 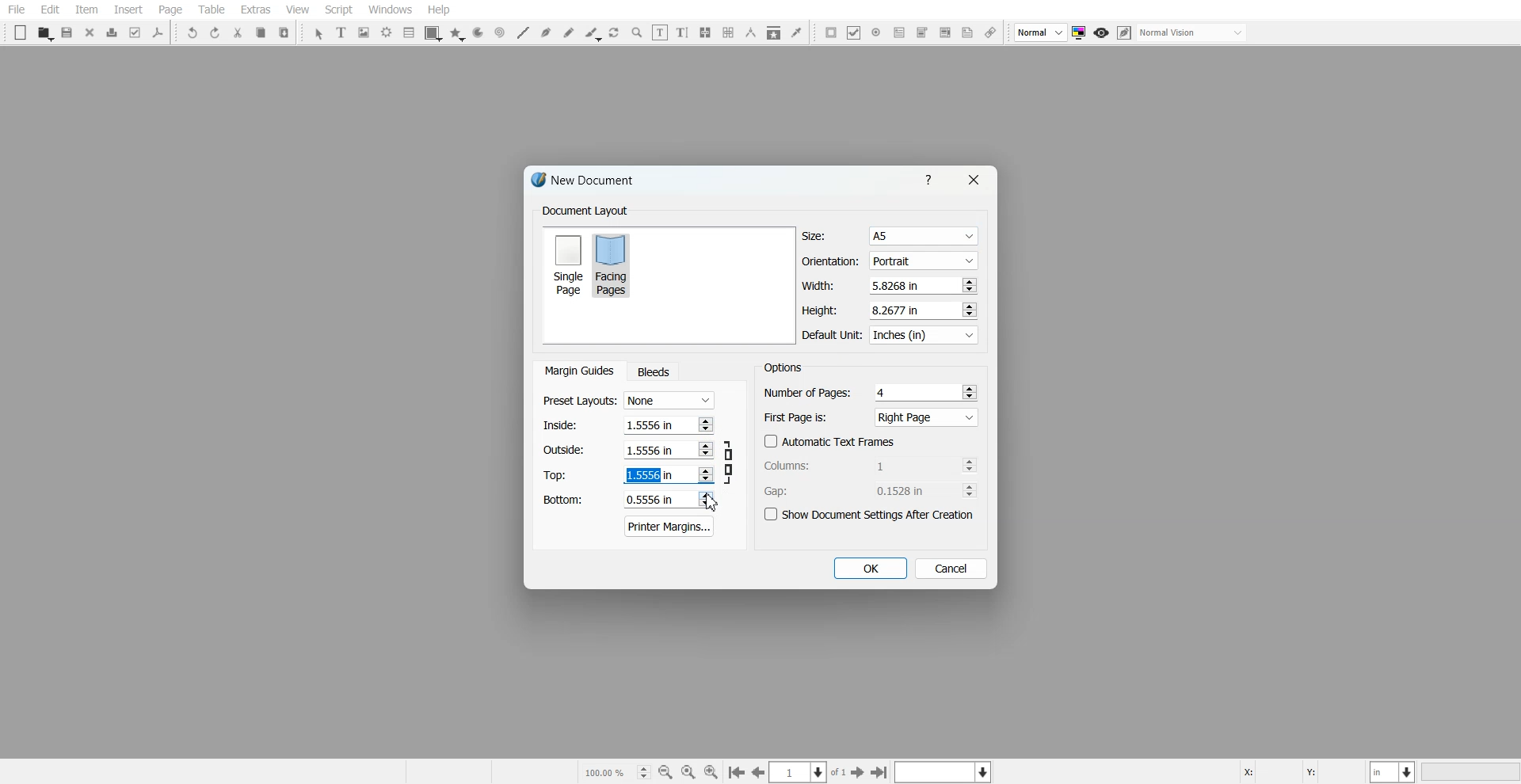 What do you see at coordinates (871, 392) in the screenshot?
I see `Number of Pages` at bounding box center [871, 392].